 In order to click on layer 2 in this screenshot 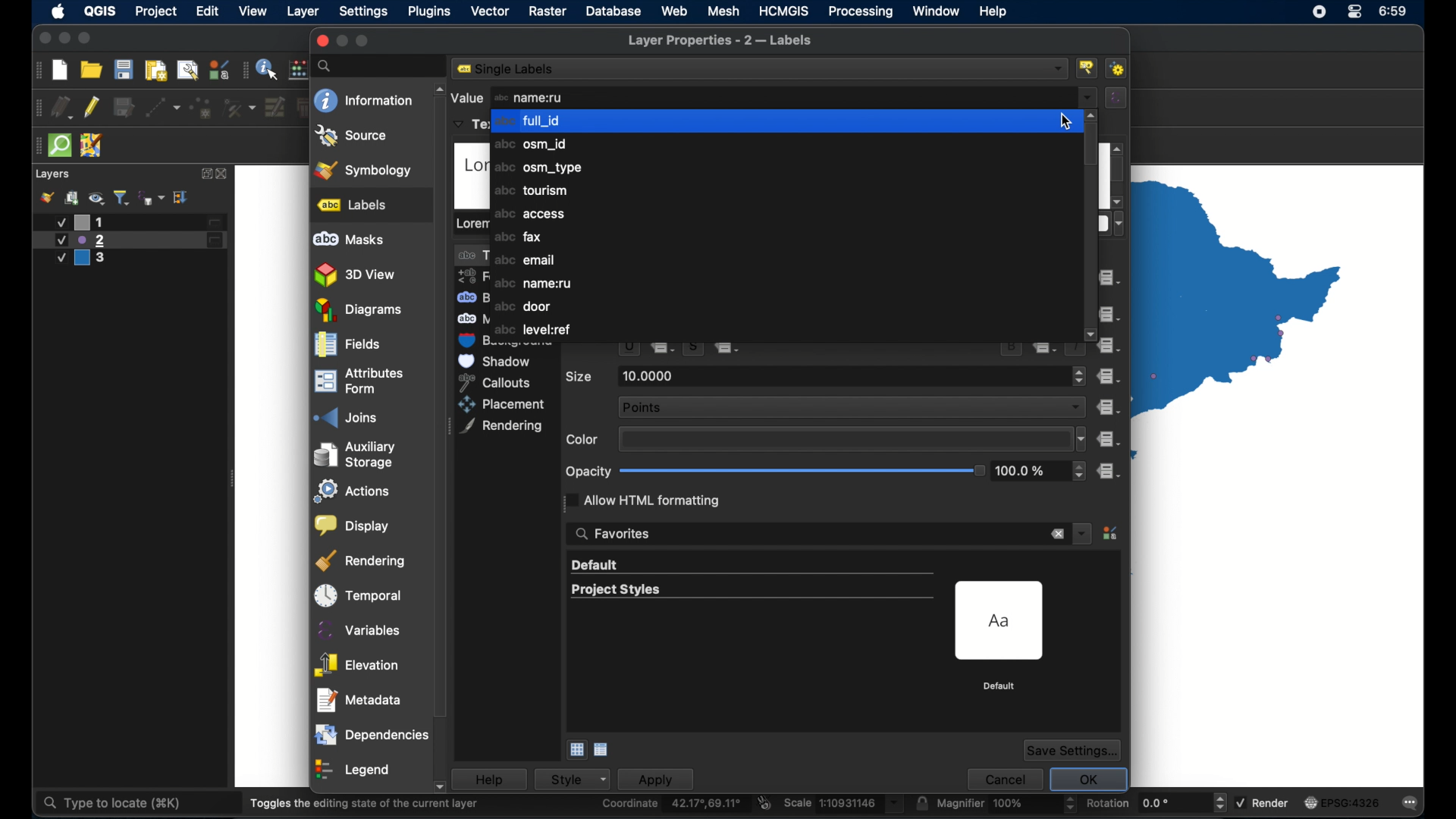, I will do `click(130, 240)`.